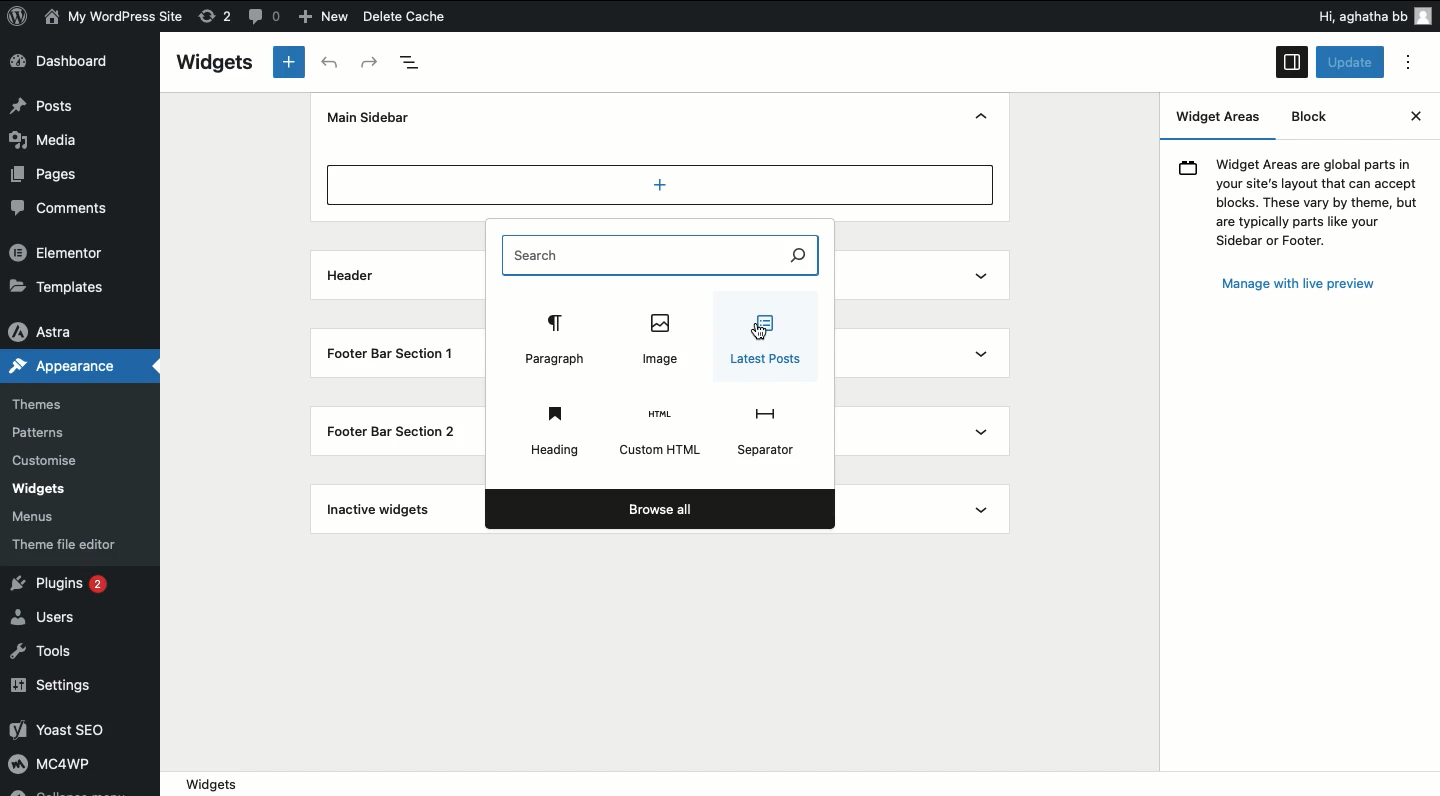 Image resolution: width=1440 pixels, height=796 pixels. Describe the element at coordinates (58, 622) in the screenshot. I see `Users` at that location.